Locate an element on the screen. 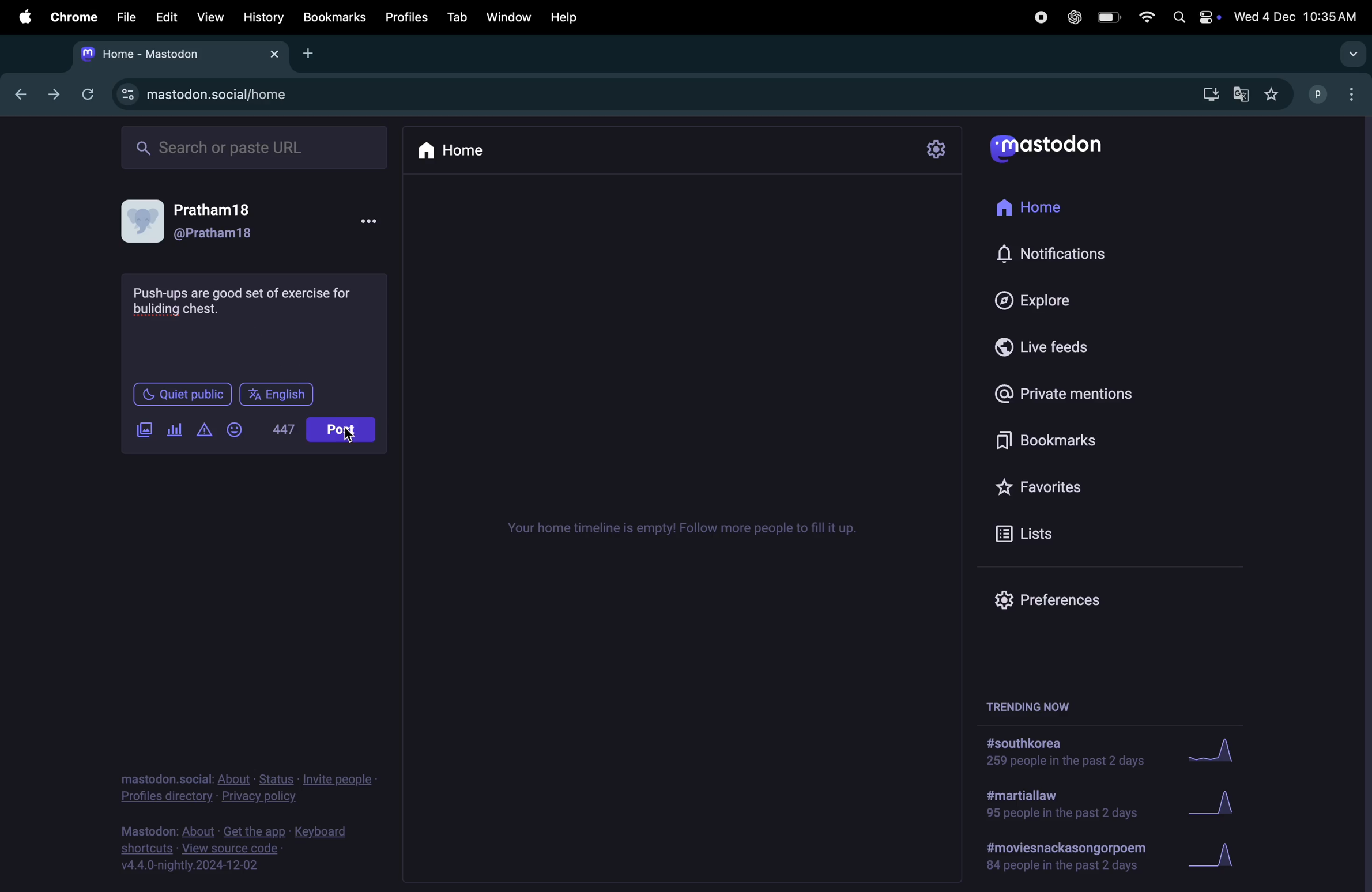 Image resolution: width=1372 pixels, height=892 pixels. Trending now is located at coordinates (1035, 703).